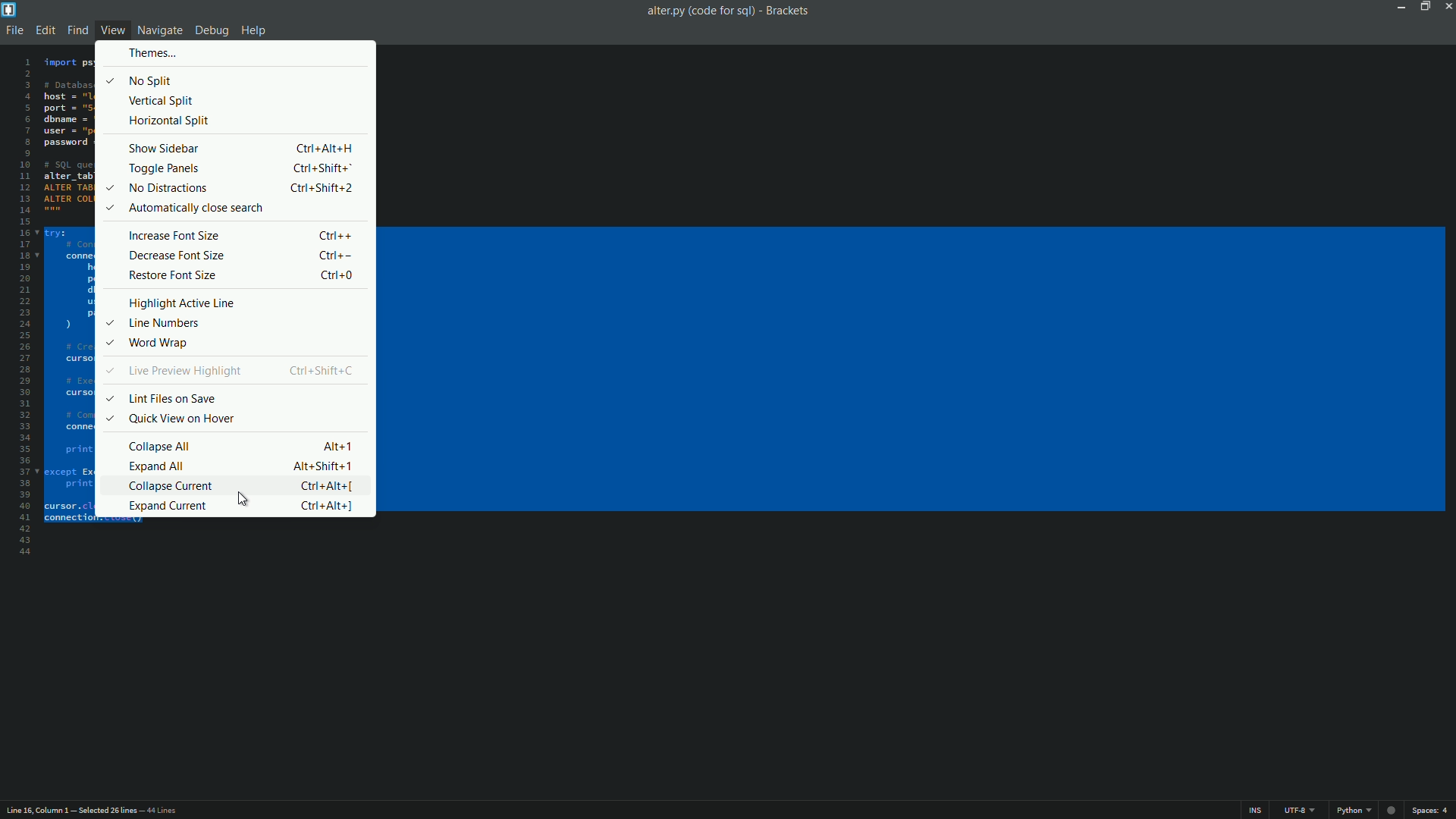  Describe the element at coordinates (1447, 7) in the screenshot. I see `close app` at that location.